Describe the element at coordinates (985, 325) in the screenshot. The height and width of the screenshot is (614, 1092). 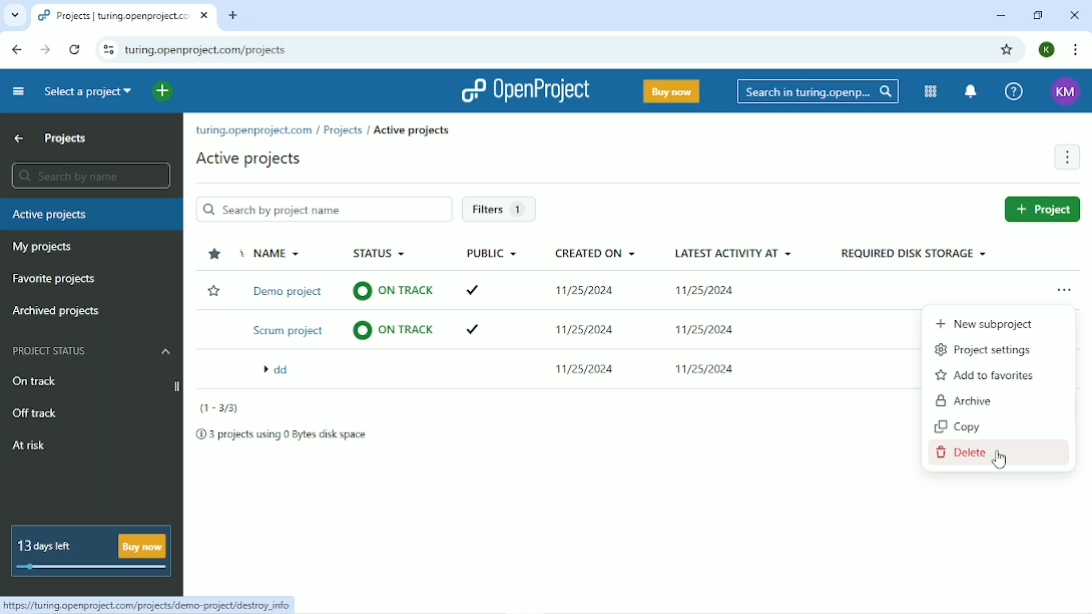
I see `New subproject` at that location.